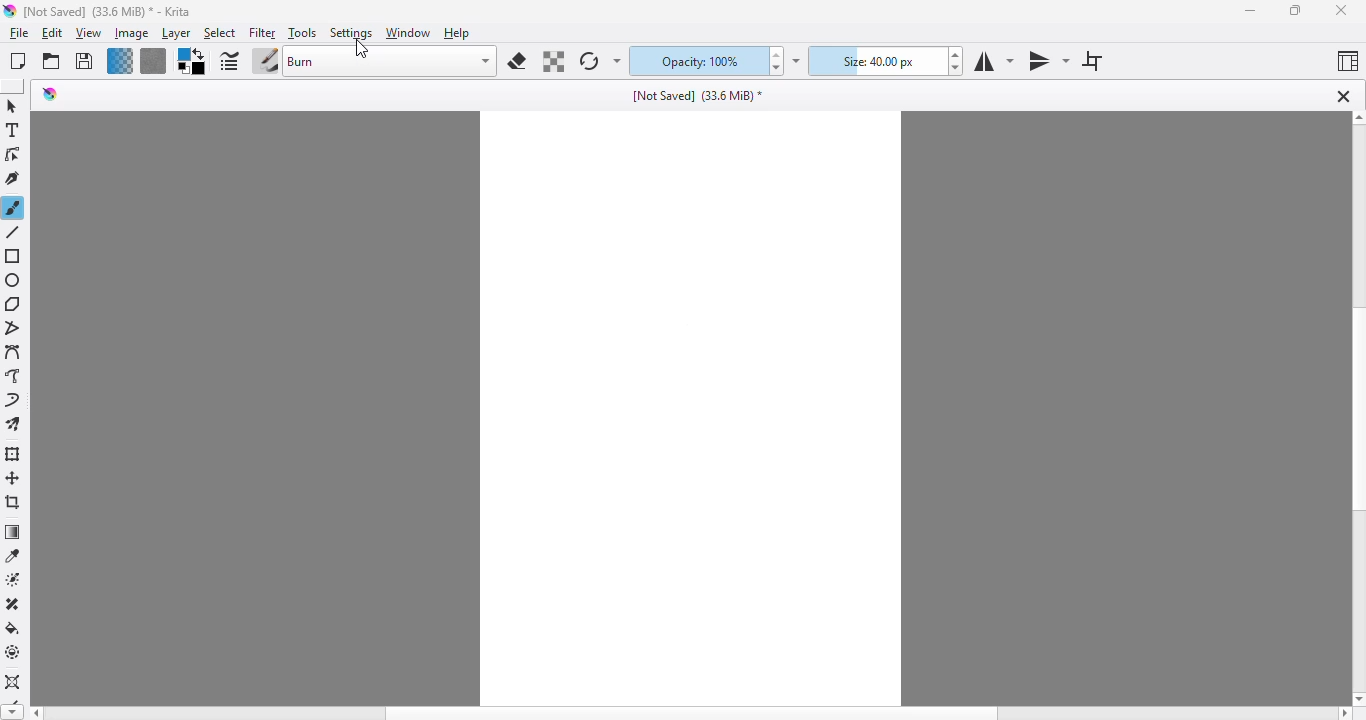 The image size is (1366, 720). What do you see at coordinates (13, 628) in the screenshot?
I see `fill a selection` at bounding box center [13, 628].